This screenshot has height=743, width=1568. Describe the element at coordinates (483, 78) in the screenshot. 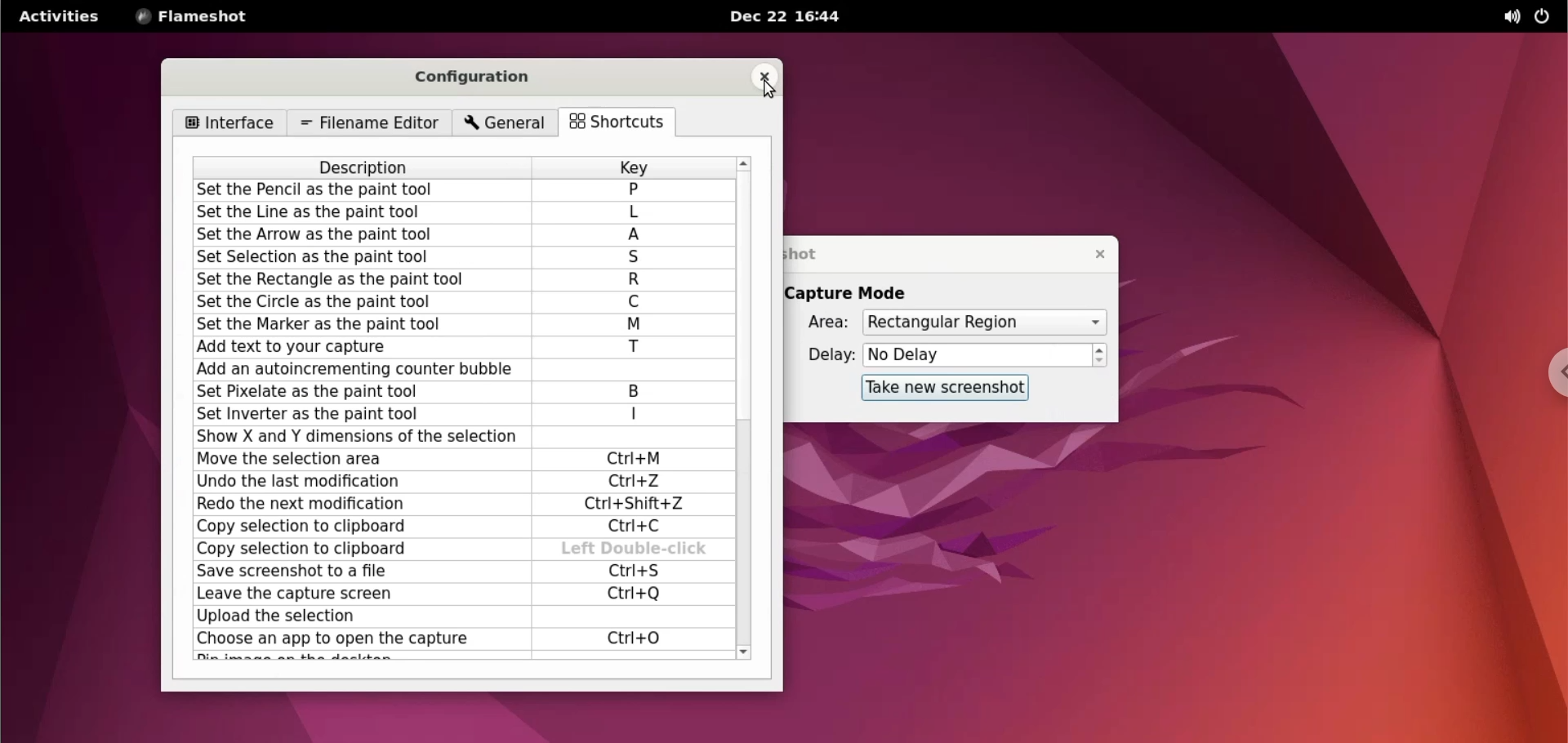

I see `configuration` at that location.